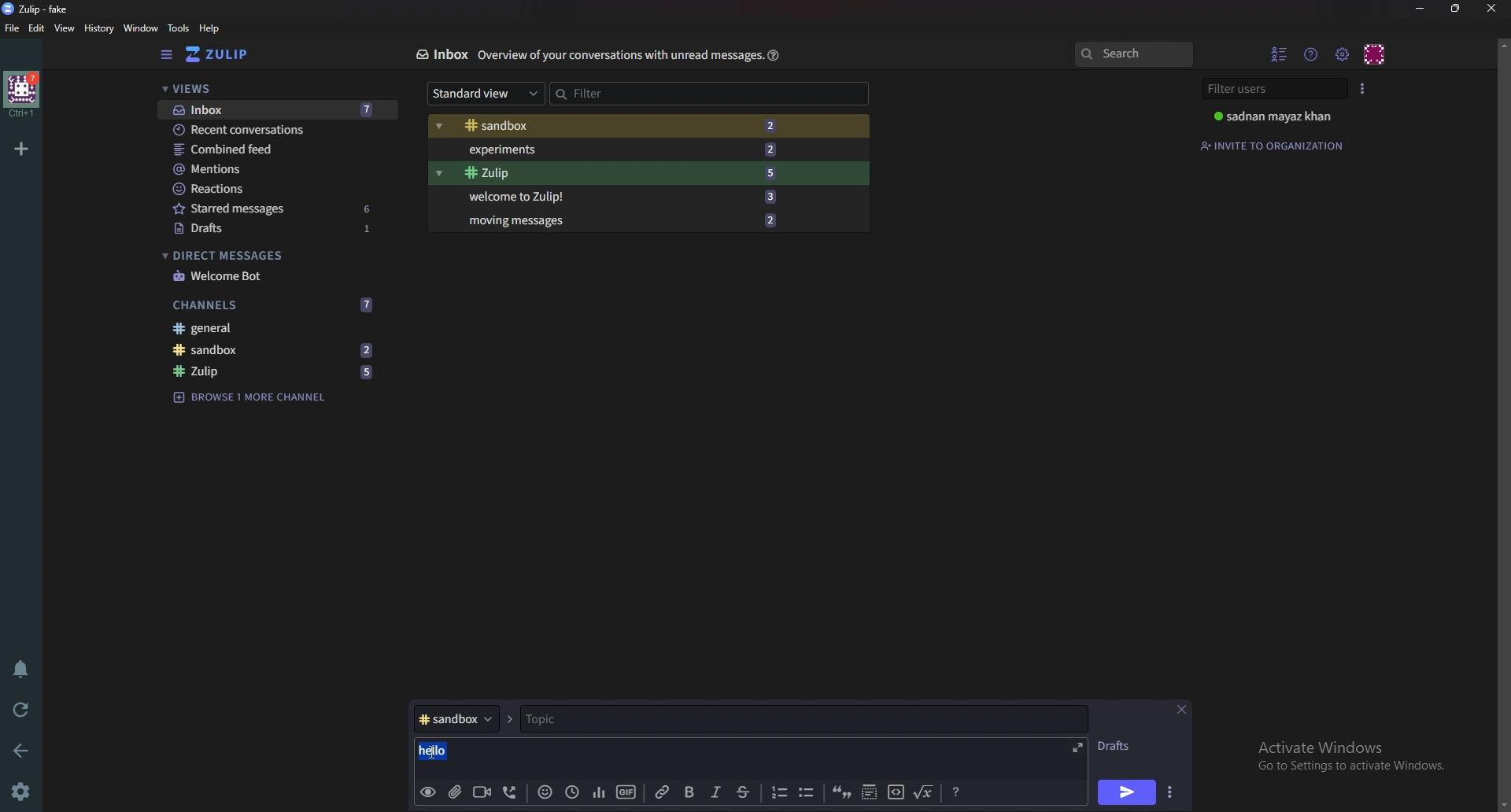 The image size is (1511, 812). I want to click on Drafts, so click(1116, 748).